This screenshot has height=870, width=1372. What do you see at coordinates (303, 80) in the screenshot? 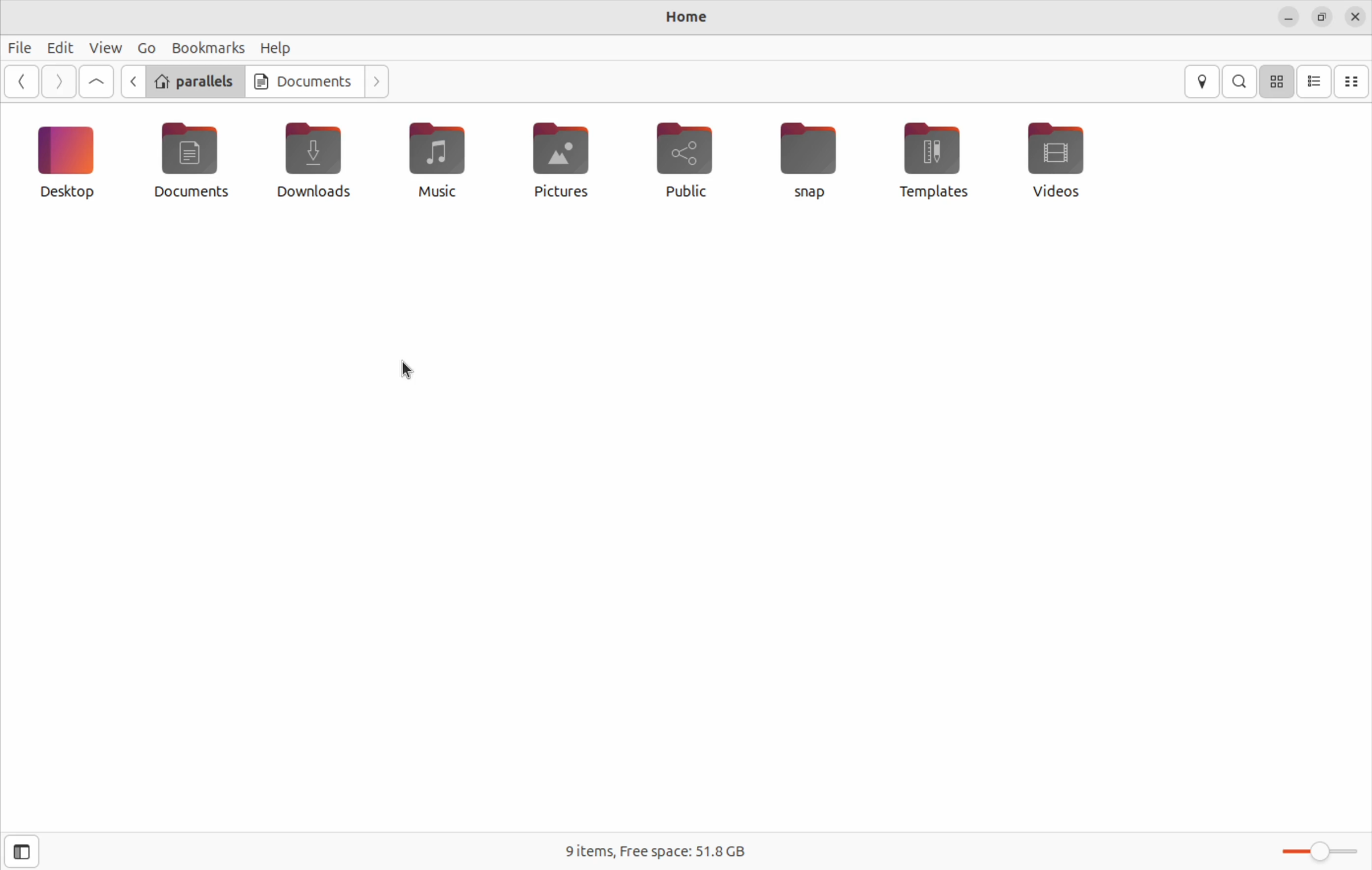
I see `Documents` at bounding box center [303, 80].